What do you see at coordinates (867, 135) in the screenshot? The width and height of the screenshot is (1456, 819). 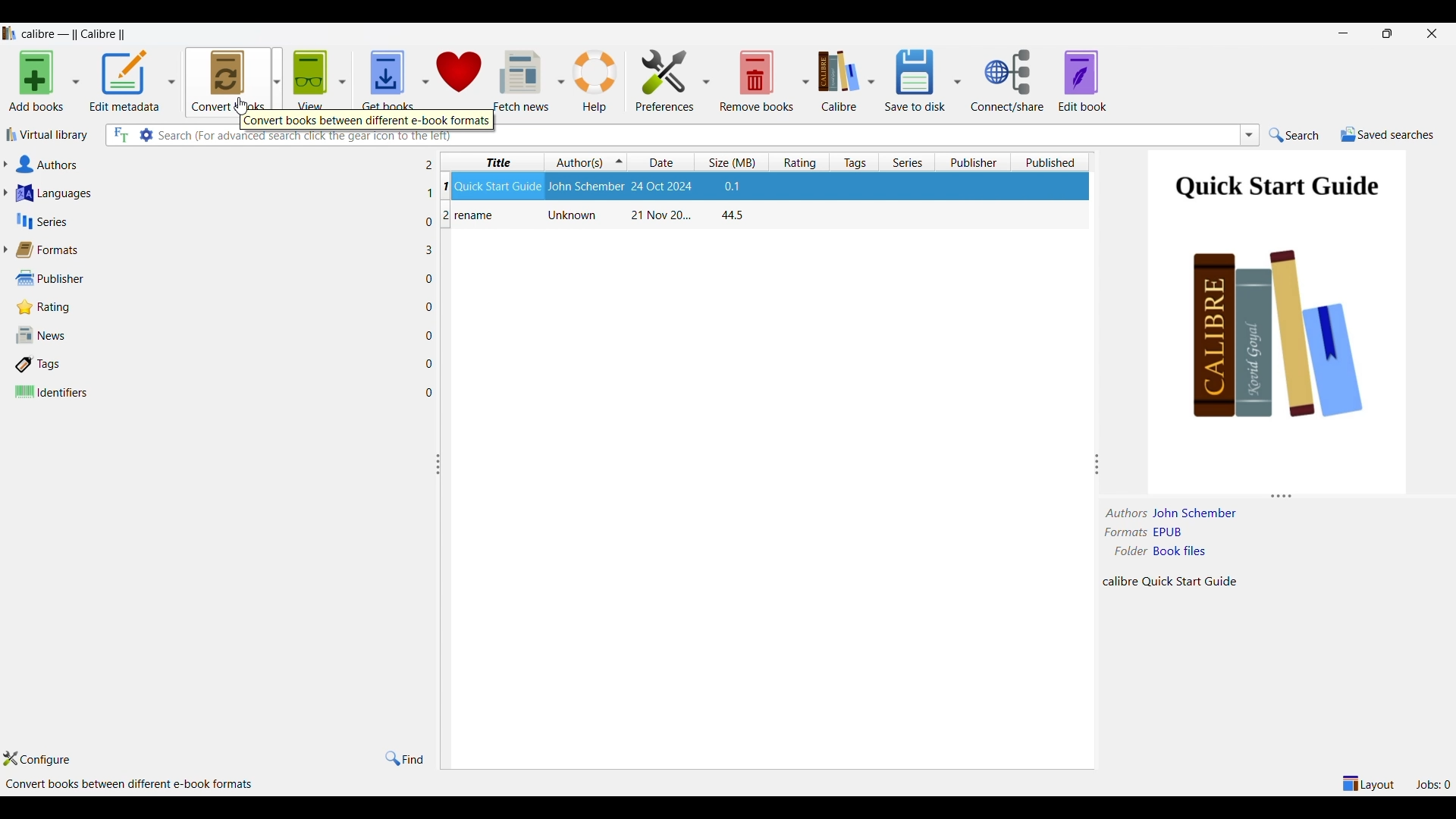 I see `Type in search` at bounding box center [867, 135].